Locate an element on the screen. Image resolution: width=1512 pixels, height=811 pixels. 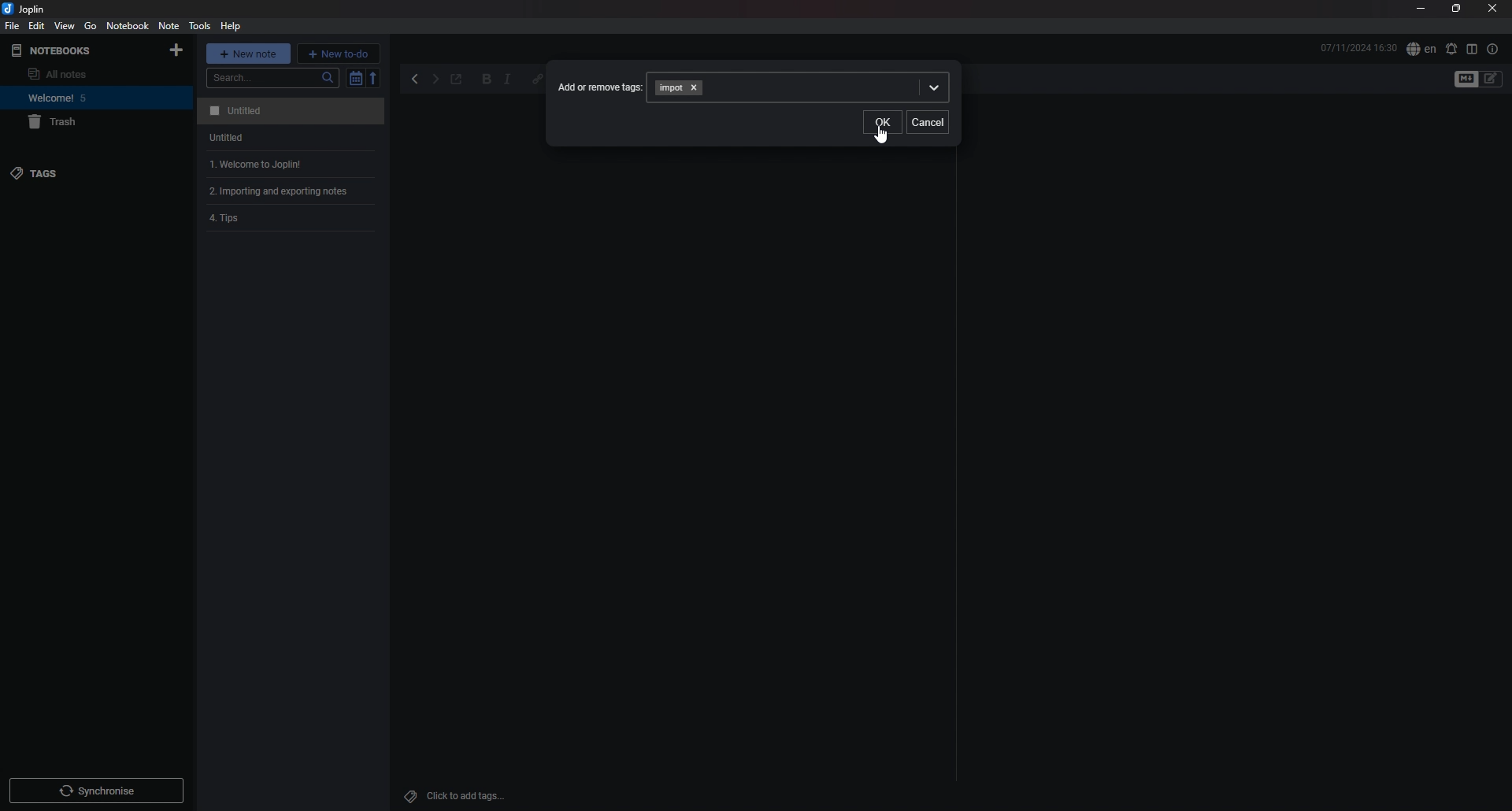
Cancel is located at coordinates (930, 121).